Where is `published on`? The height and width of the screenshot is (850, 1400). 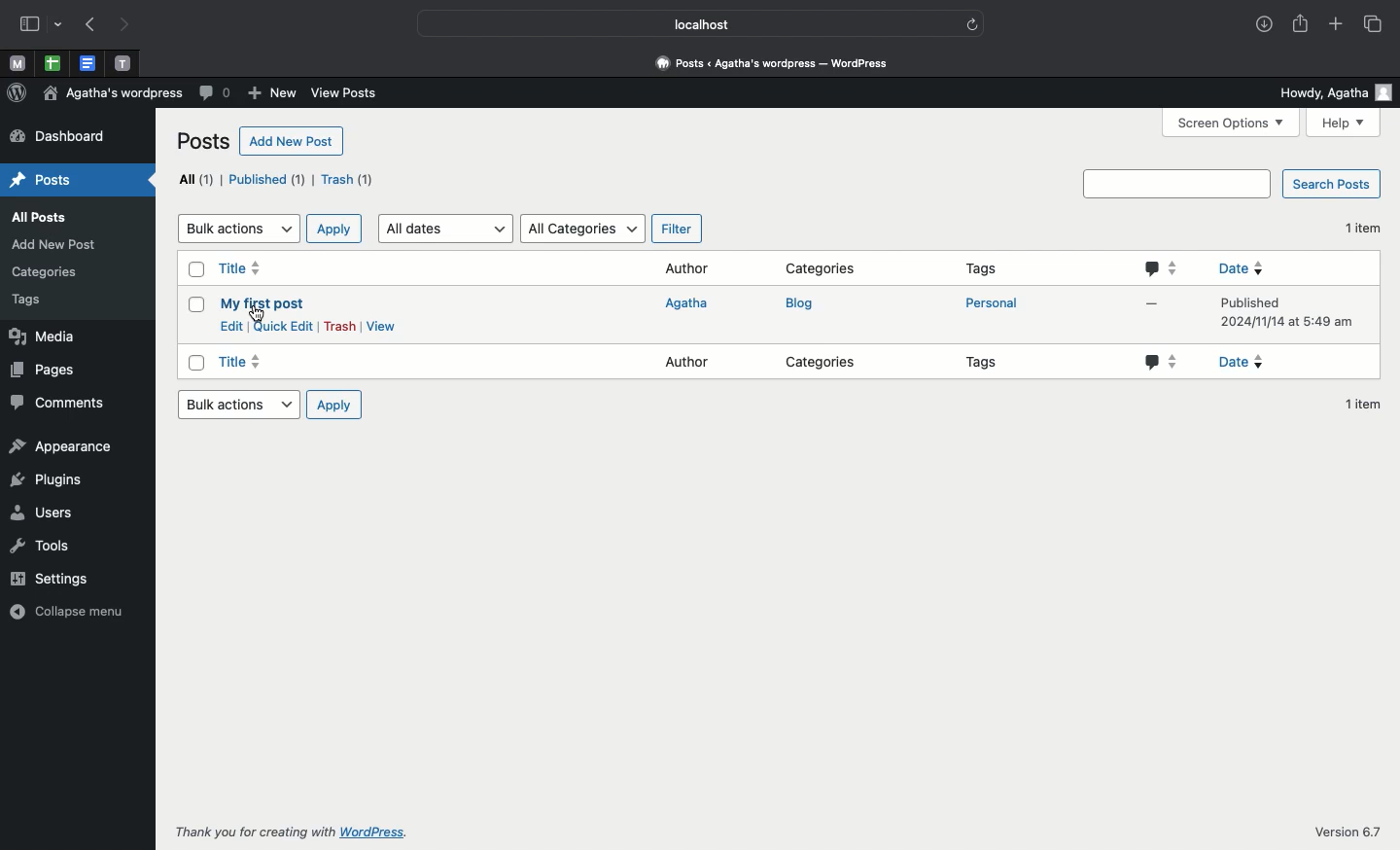 published on is located at coordinates (1292, 311).